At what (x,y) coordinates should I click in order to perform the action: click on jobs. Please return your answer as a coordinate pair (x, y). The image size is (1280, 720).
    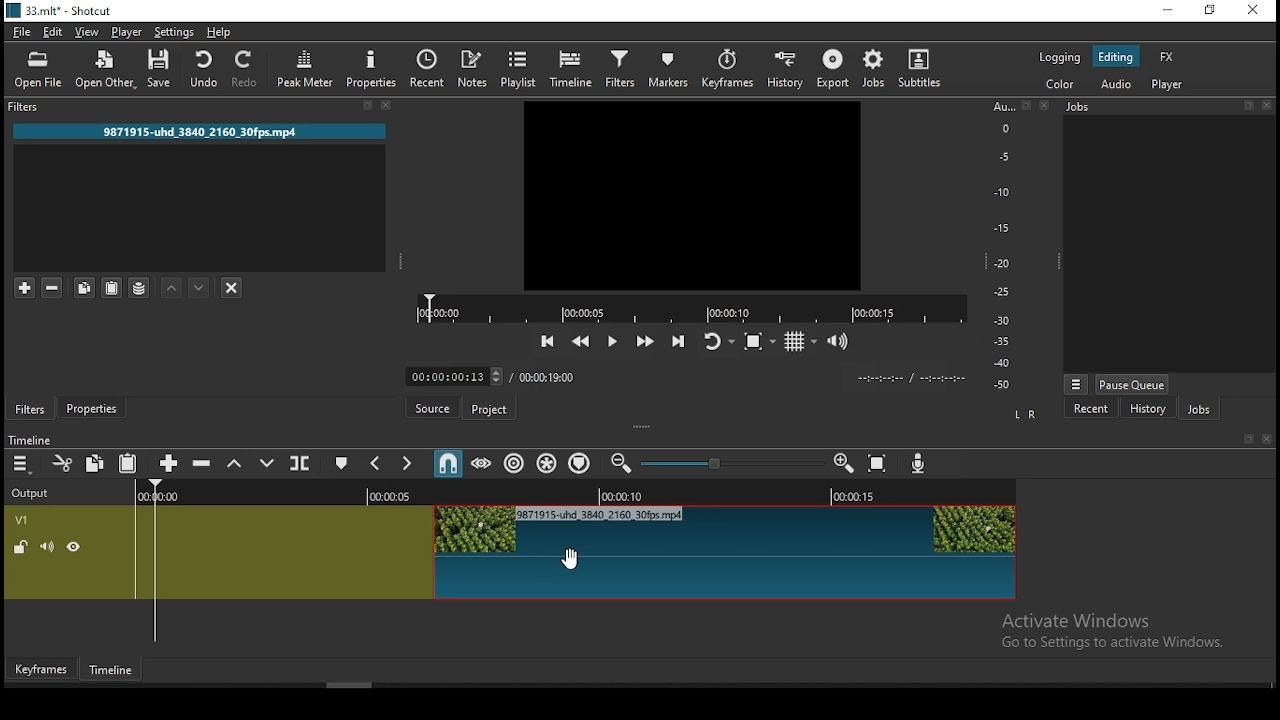
    Looking at the image, I should click on (1206, 410).